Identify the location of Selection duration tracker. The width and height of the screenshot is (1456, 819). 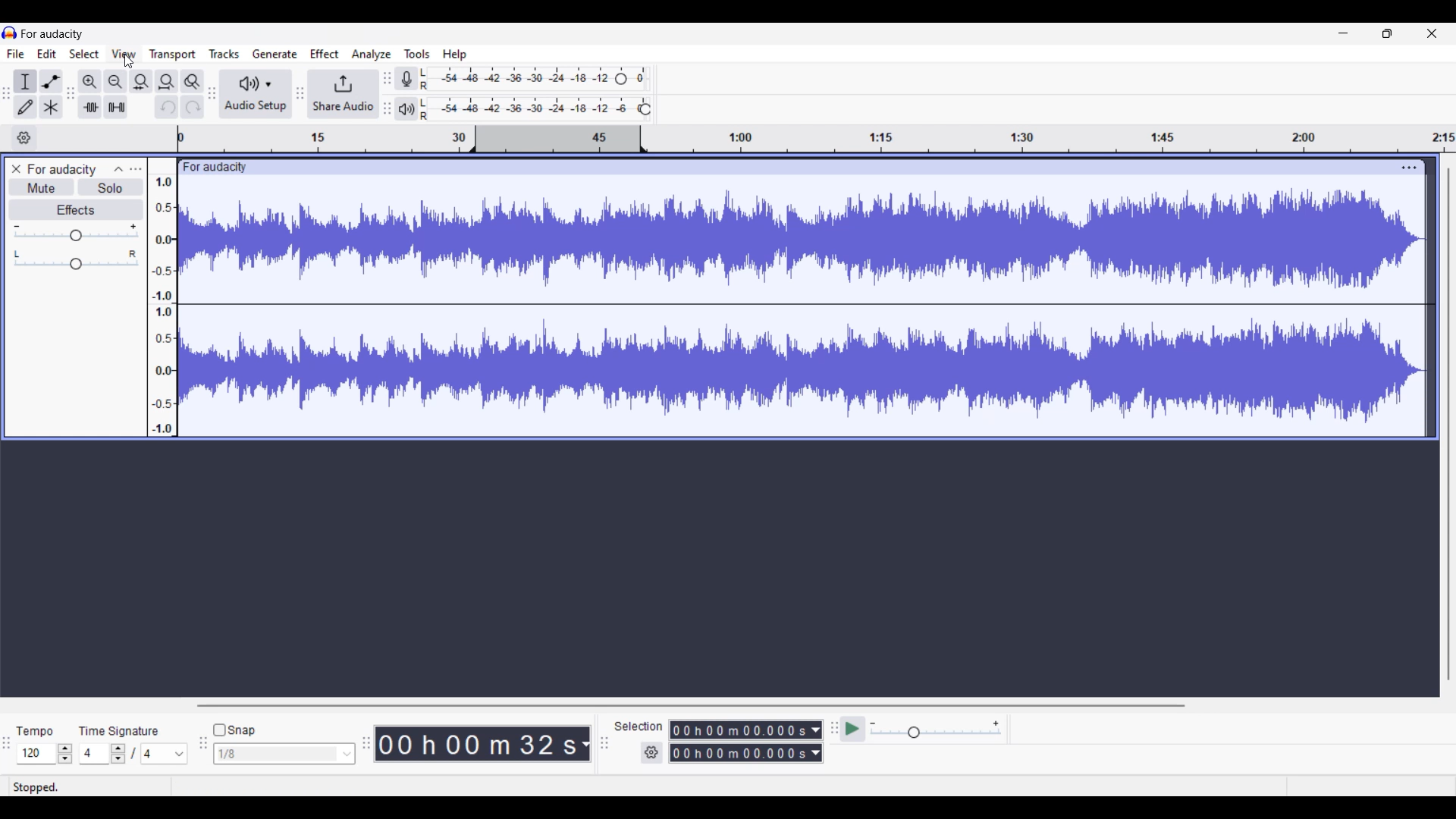
(739, 730).